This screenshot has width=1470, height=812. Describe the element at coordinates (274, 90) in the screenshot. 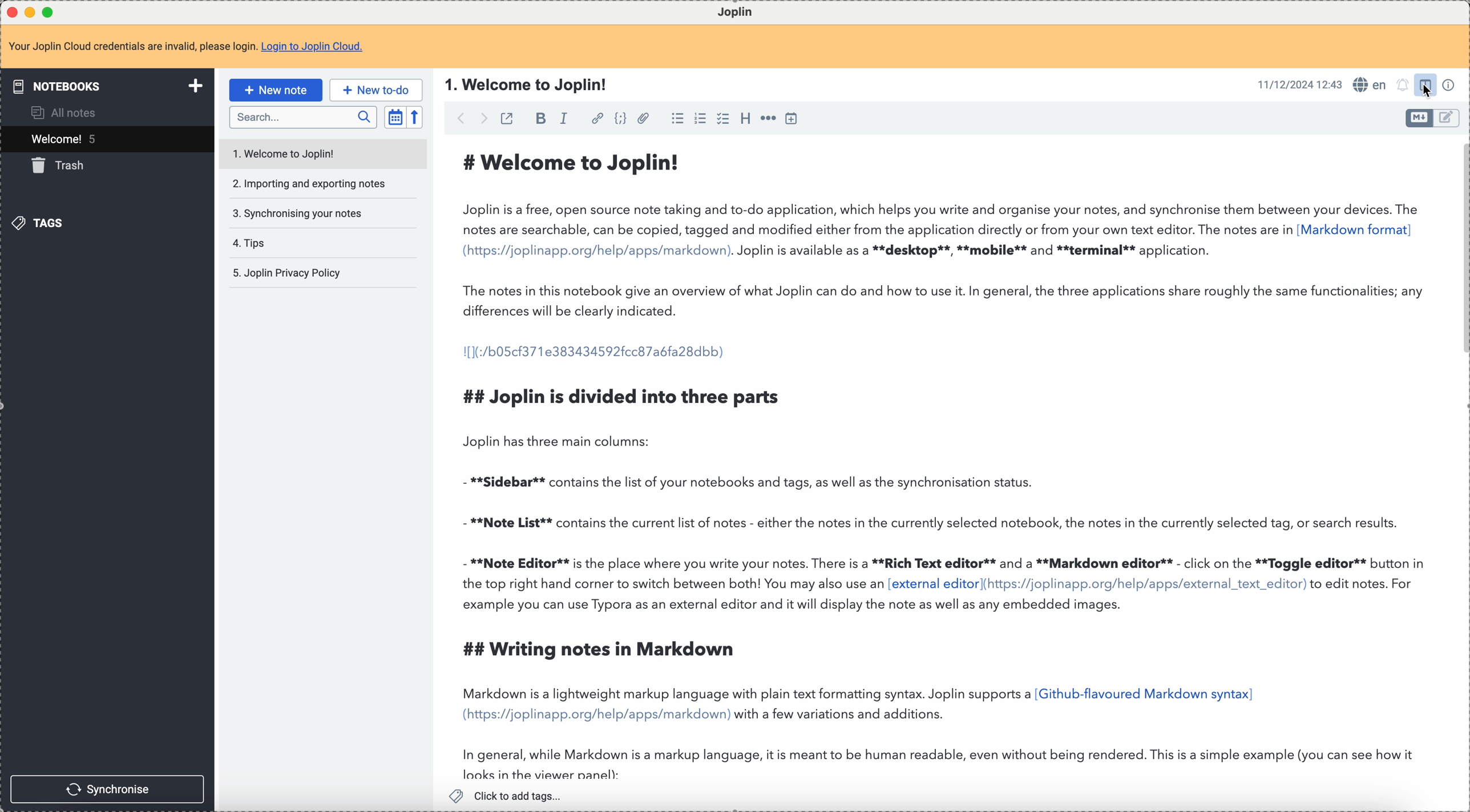

I see `new note` at that location.